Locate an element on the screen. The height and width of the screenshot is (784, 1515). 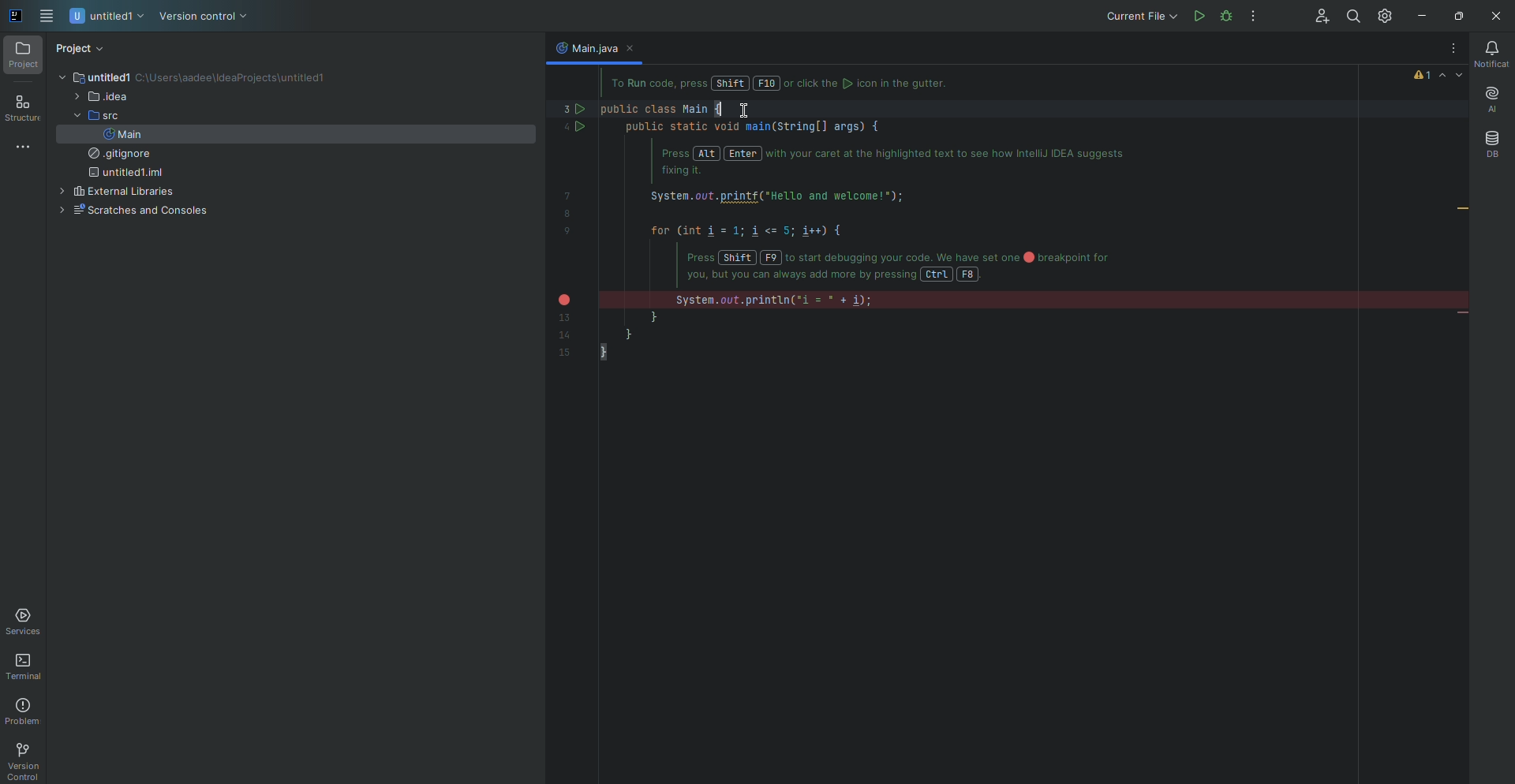
More Tools is located at coordinates (26, 146).